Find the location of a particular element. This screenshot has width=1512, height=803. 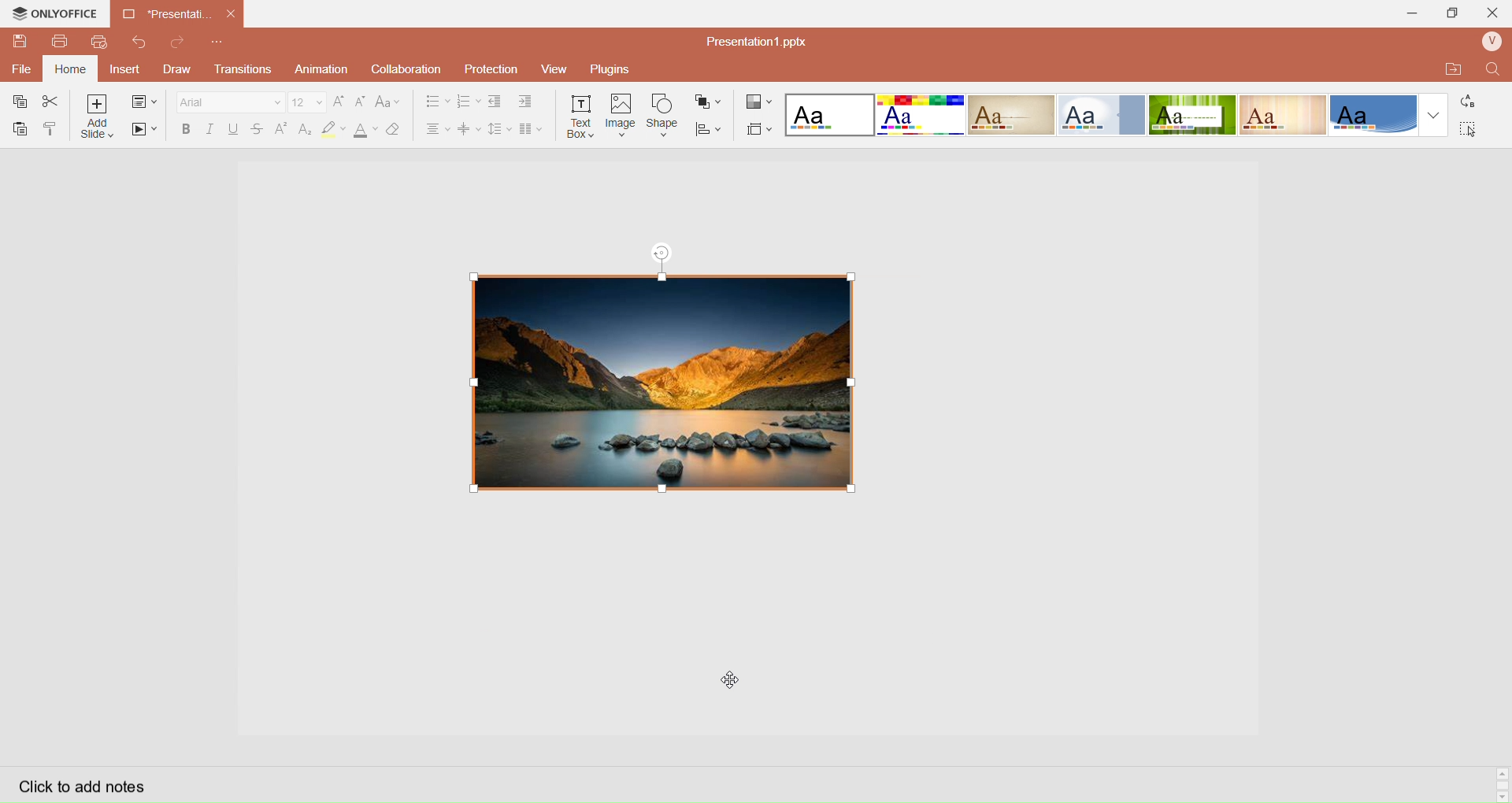

Minimize is located at coordinates (1417, 12).